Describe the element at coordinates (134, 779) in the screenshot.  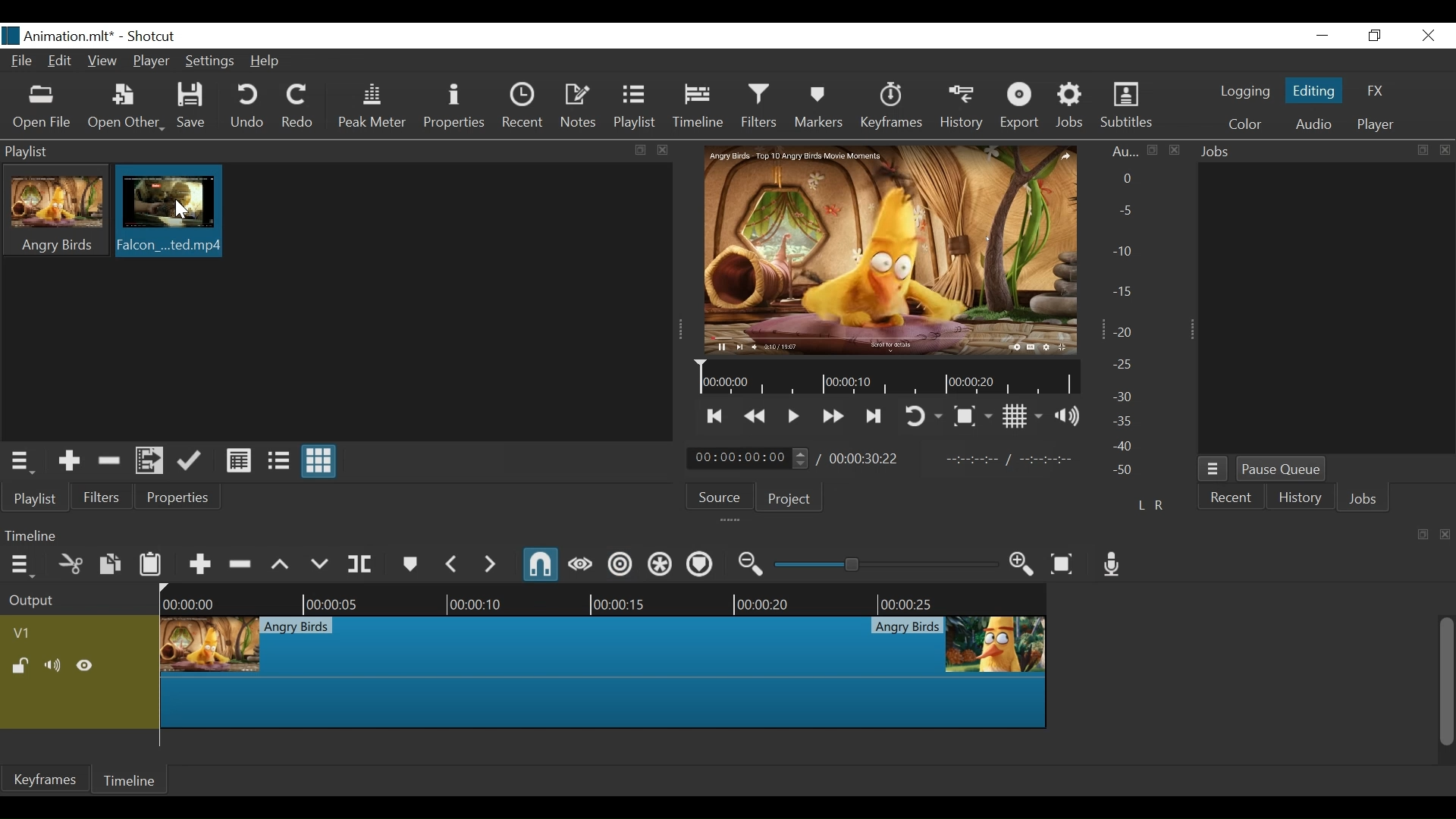
I see `Timeline` at that location.